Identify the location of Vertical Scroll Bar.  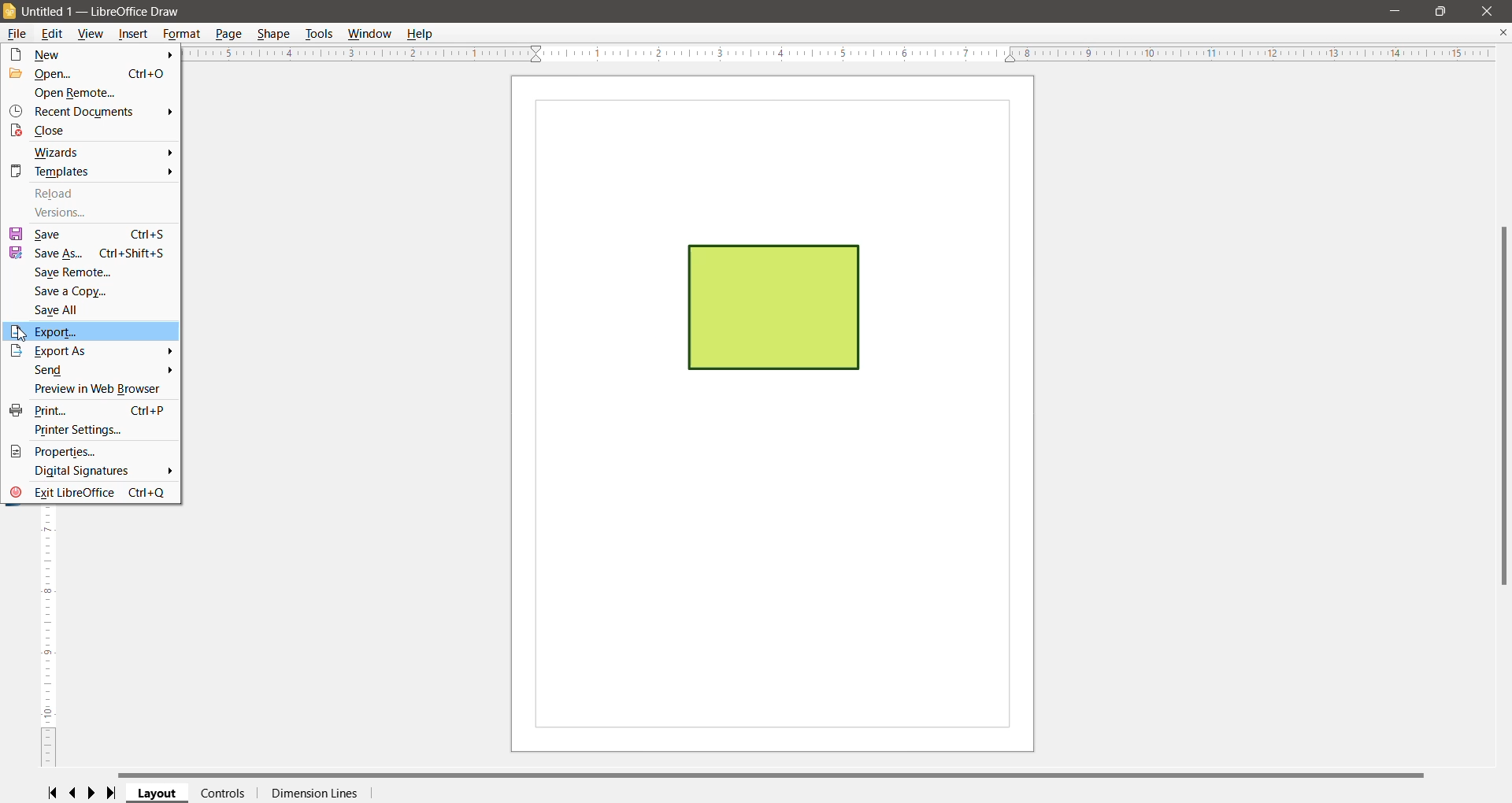
(1501, 405).